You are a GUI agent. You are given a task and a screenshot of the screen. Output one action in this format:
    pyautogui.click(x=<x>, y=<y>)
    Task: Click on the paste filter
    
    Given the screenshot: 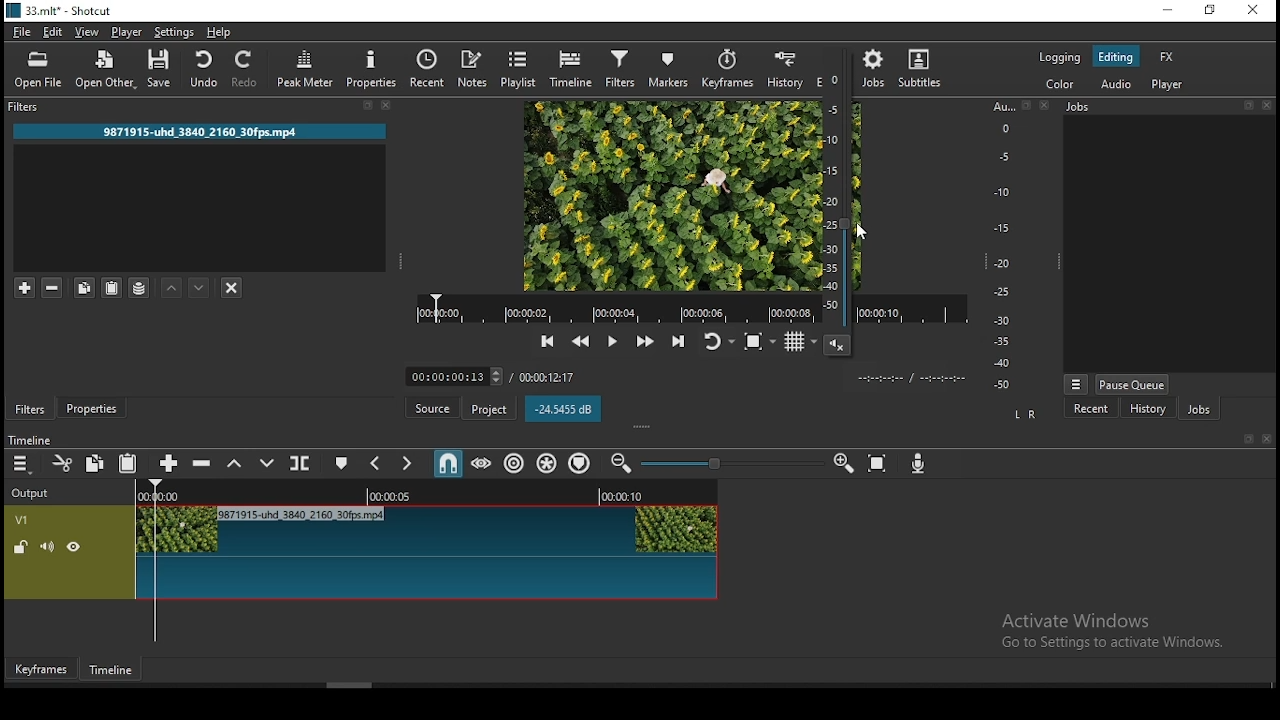 What is the action you would take?
    pyautogui.click(x=111, y=287)
    